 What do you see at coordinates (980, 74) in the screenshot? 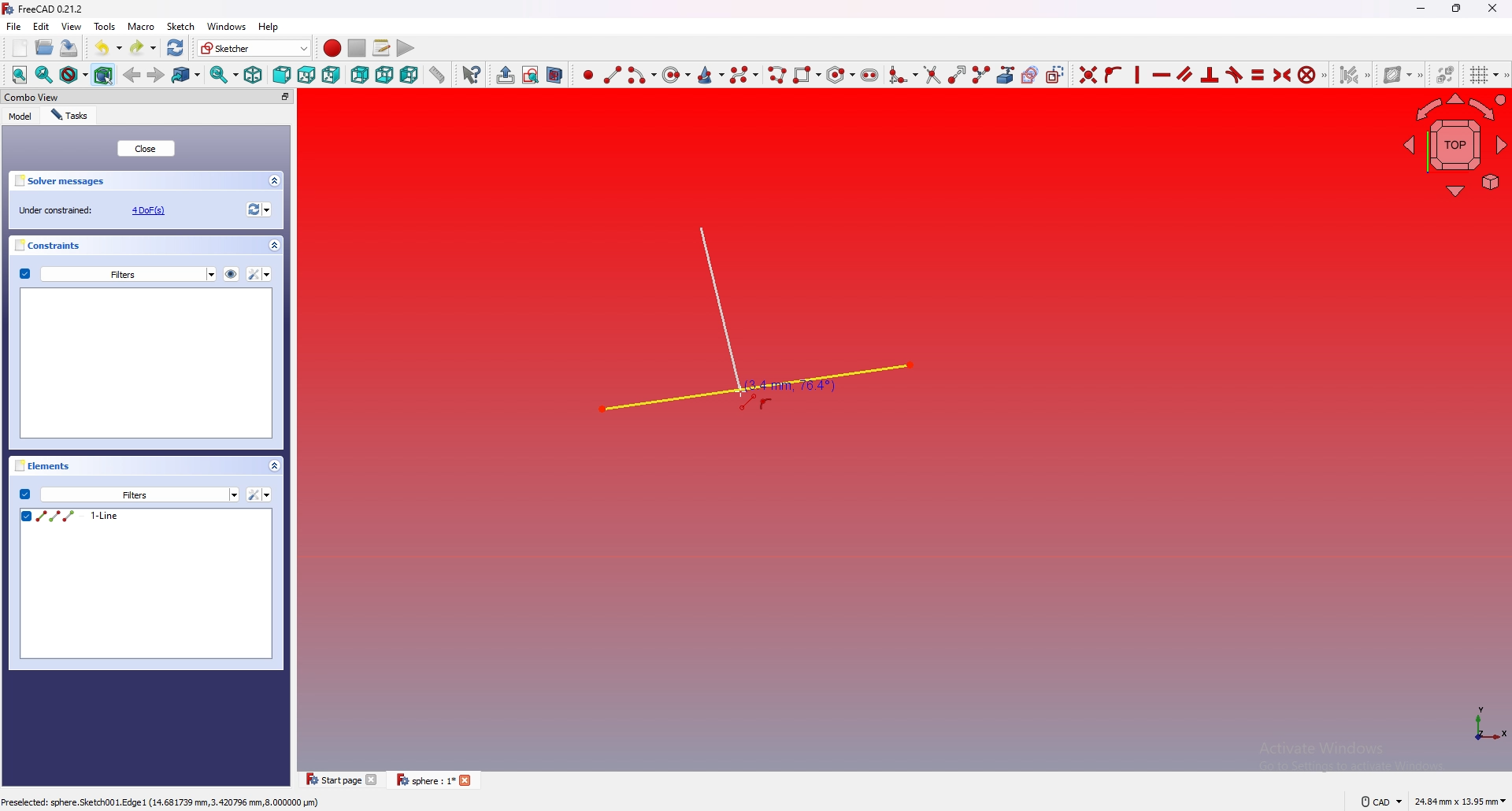
I see `Split edge` at bounding box center [980, 74].